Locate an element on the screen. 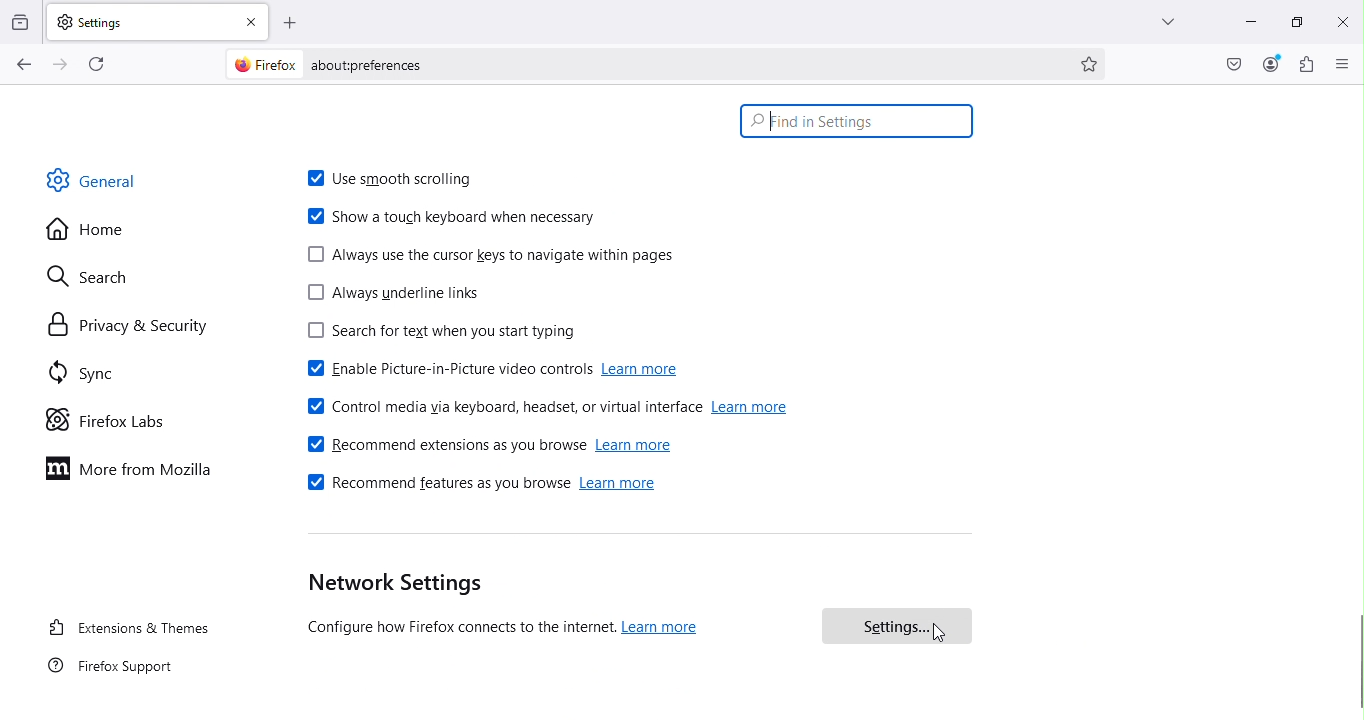 This screenshot has width=1364, height=720. Reload current page is located at coordinates (99, 62).